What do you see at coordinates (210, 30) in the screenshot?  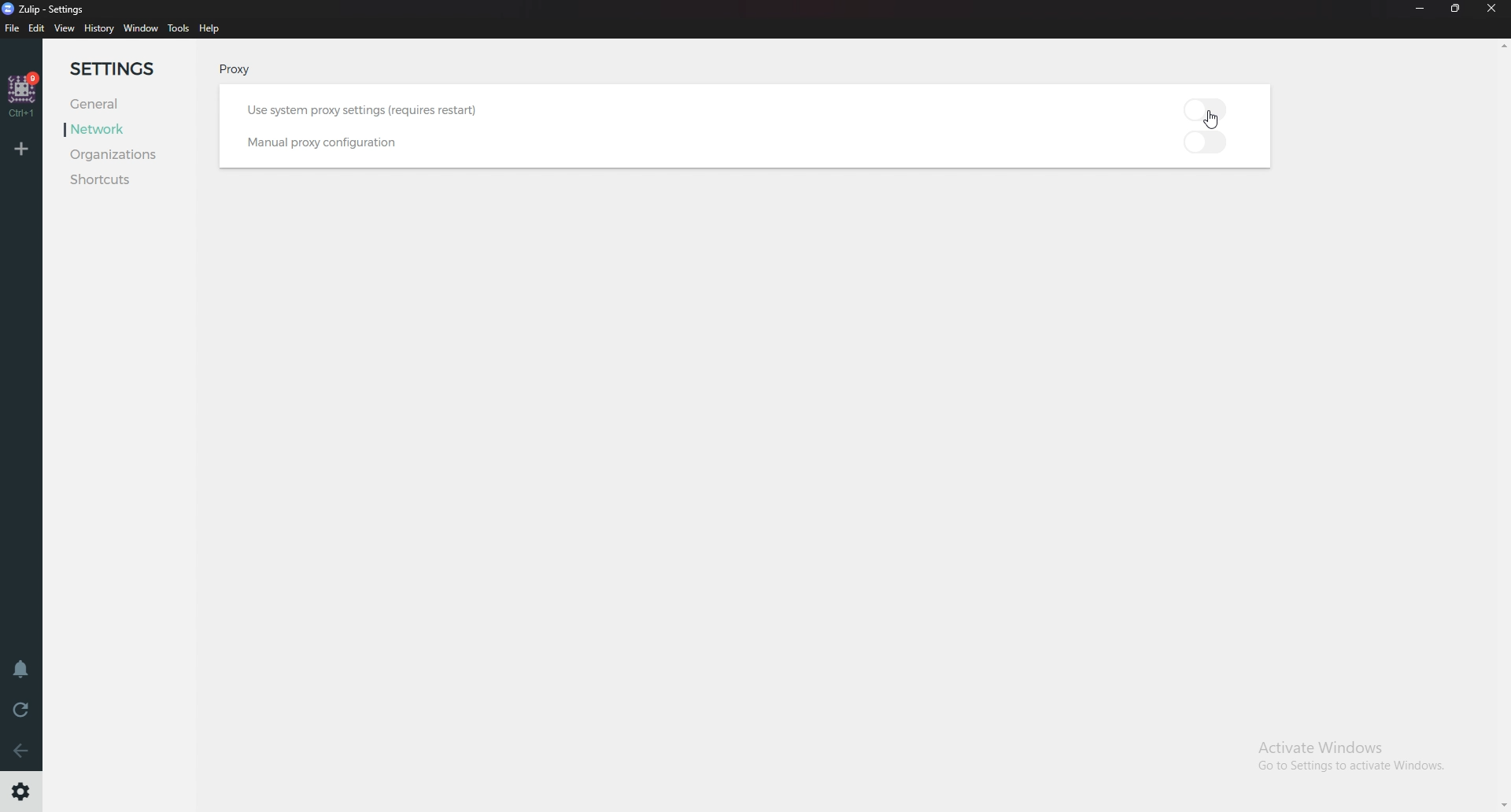 I see `help` at bounding box center [210, 30].